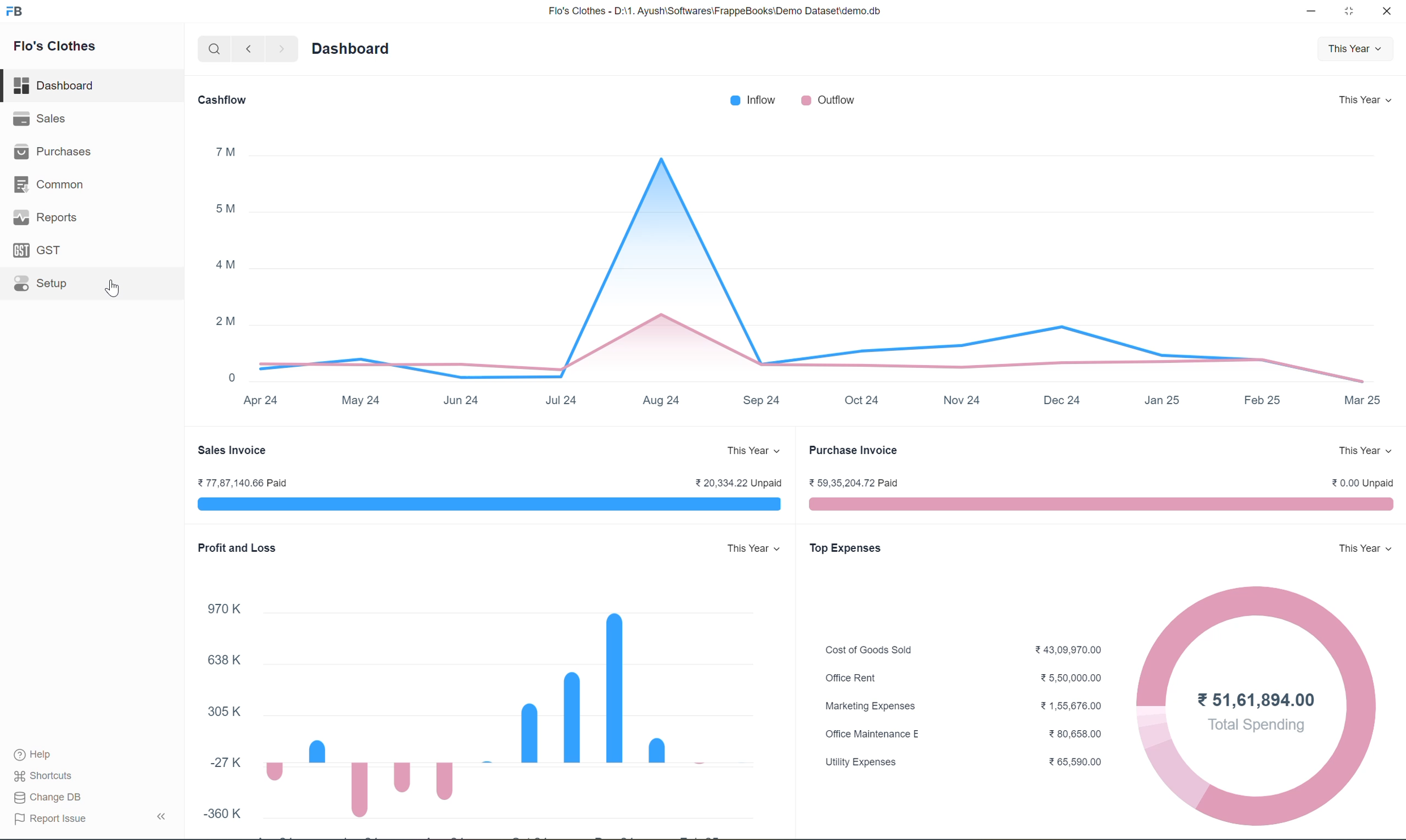 This screenshot has height=840, width=1406. Describe the element at coordinates (1386, 10) in the screenshot. I see `close` at that location.